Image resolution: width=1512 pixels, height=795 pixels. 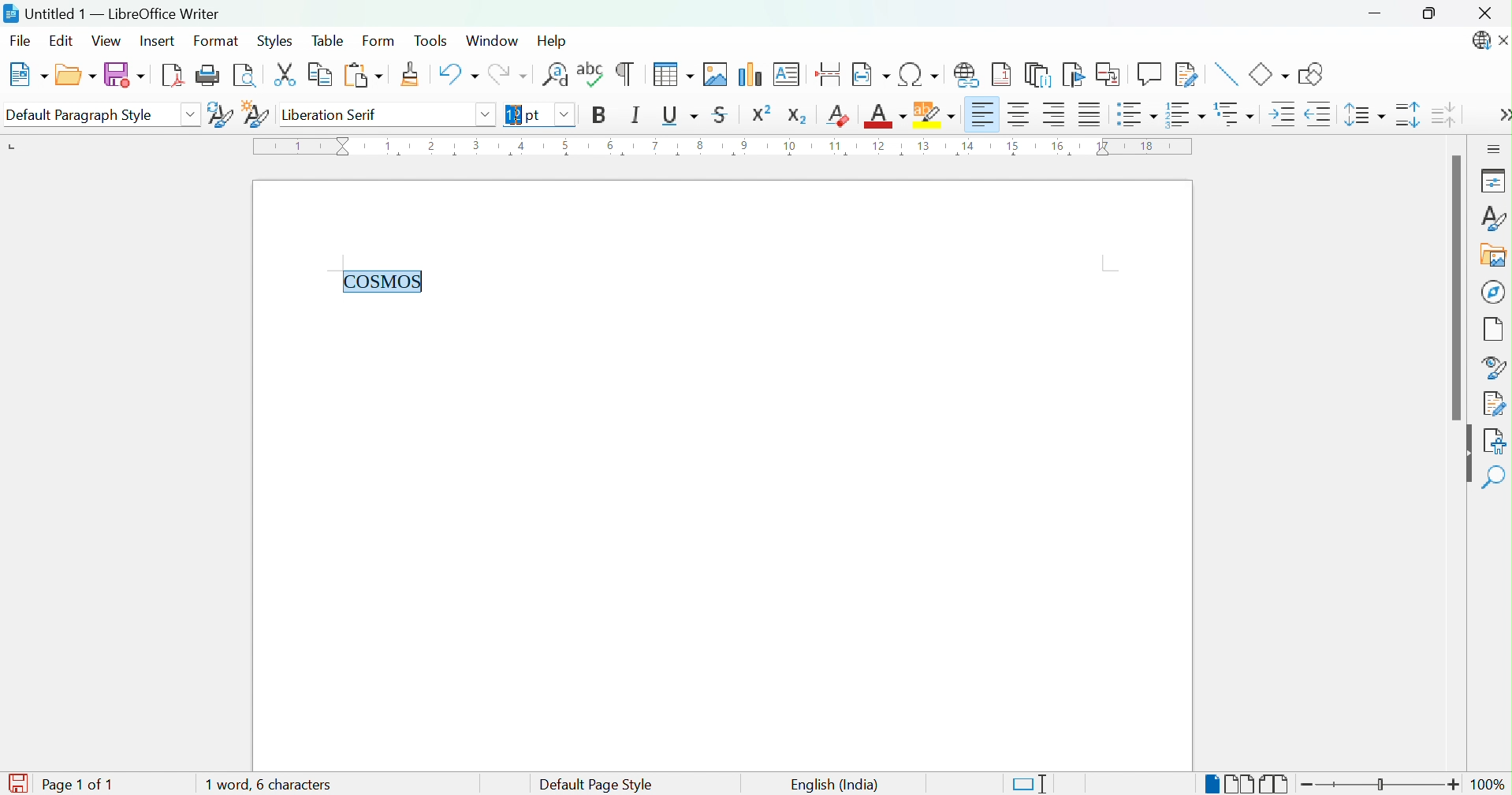 What do you see at coordinates (218, 114) in the screenshot?
I see `Update Selected Style` at bounding box center [218, 114].